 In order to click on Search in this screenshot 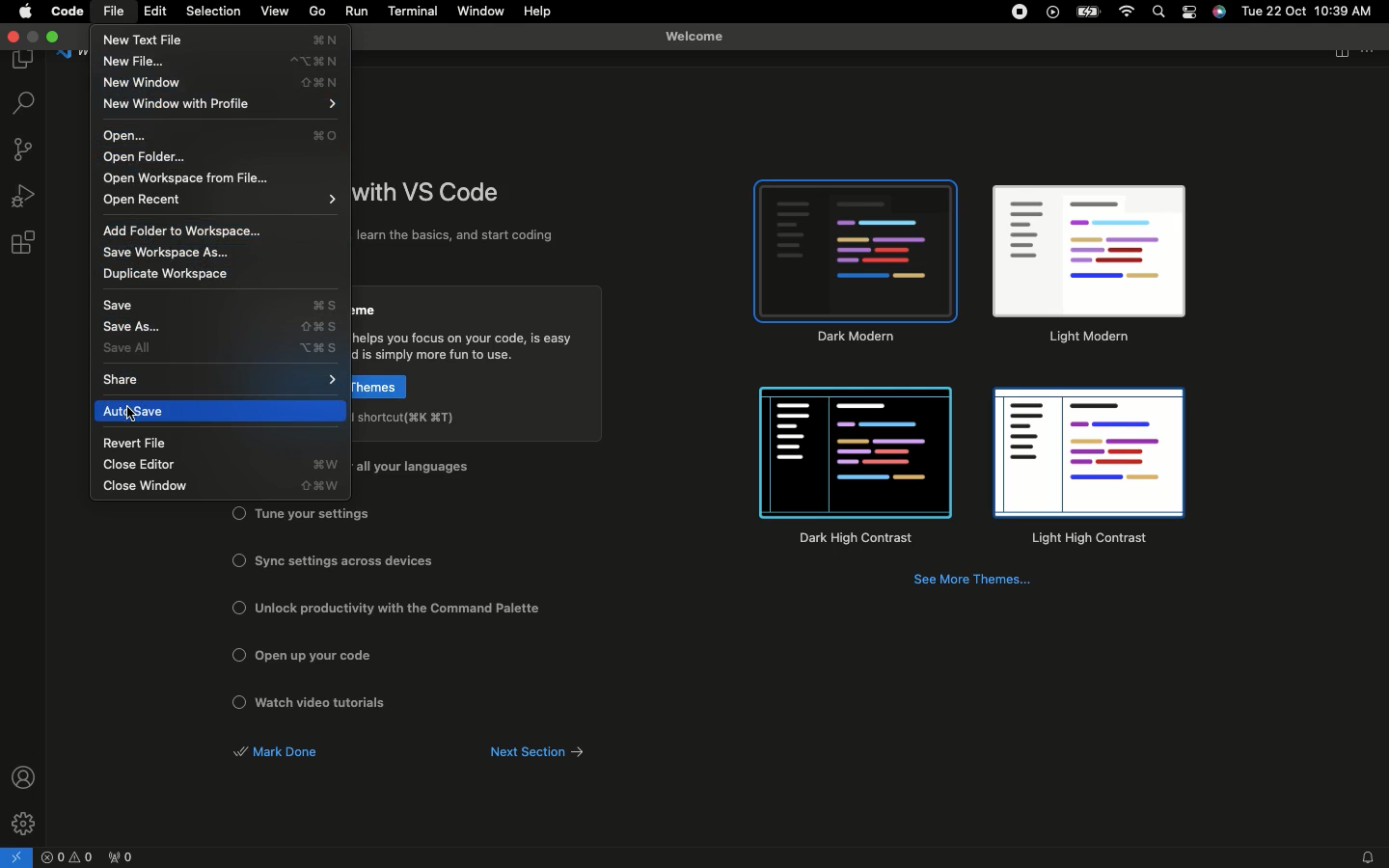, I will do `click(1157, 13)`.